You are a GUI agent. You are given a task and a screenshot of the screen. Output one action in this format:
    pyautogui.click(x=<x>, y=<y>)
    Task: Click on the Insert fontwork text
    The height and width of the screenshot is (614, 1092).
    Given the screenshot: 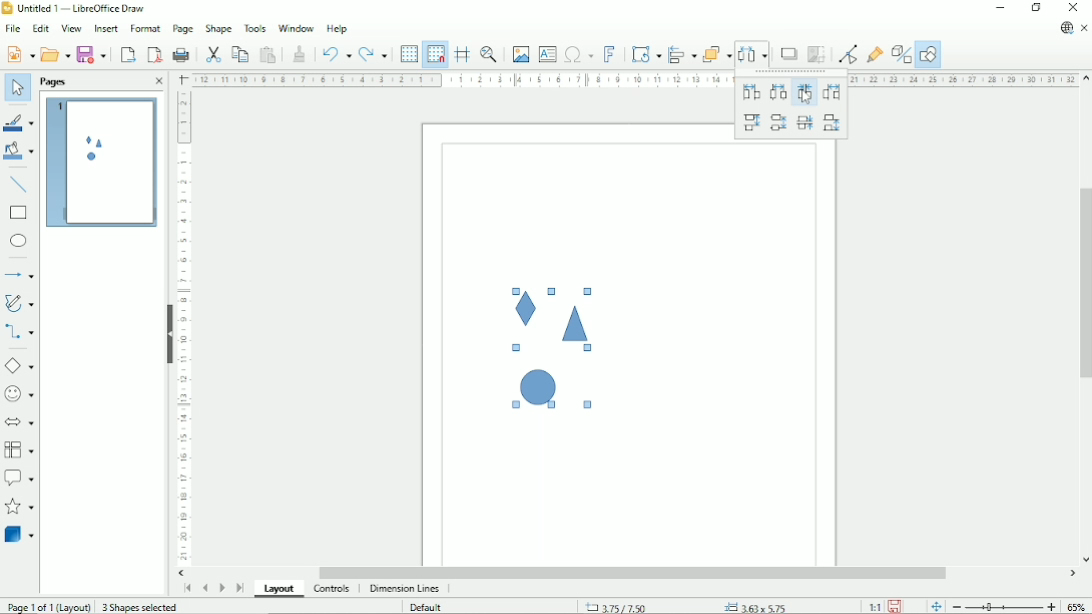 What is the action you would take?
    pyautogui.click(x=609, y=54)
    